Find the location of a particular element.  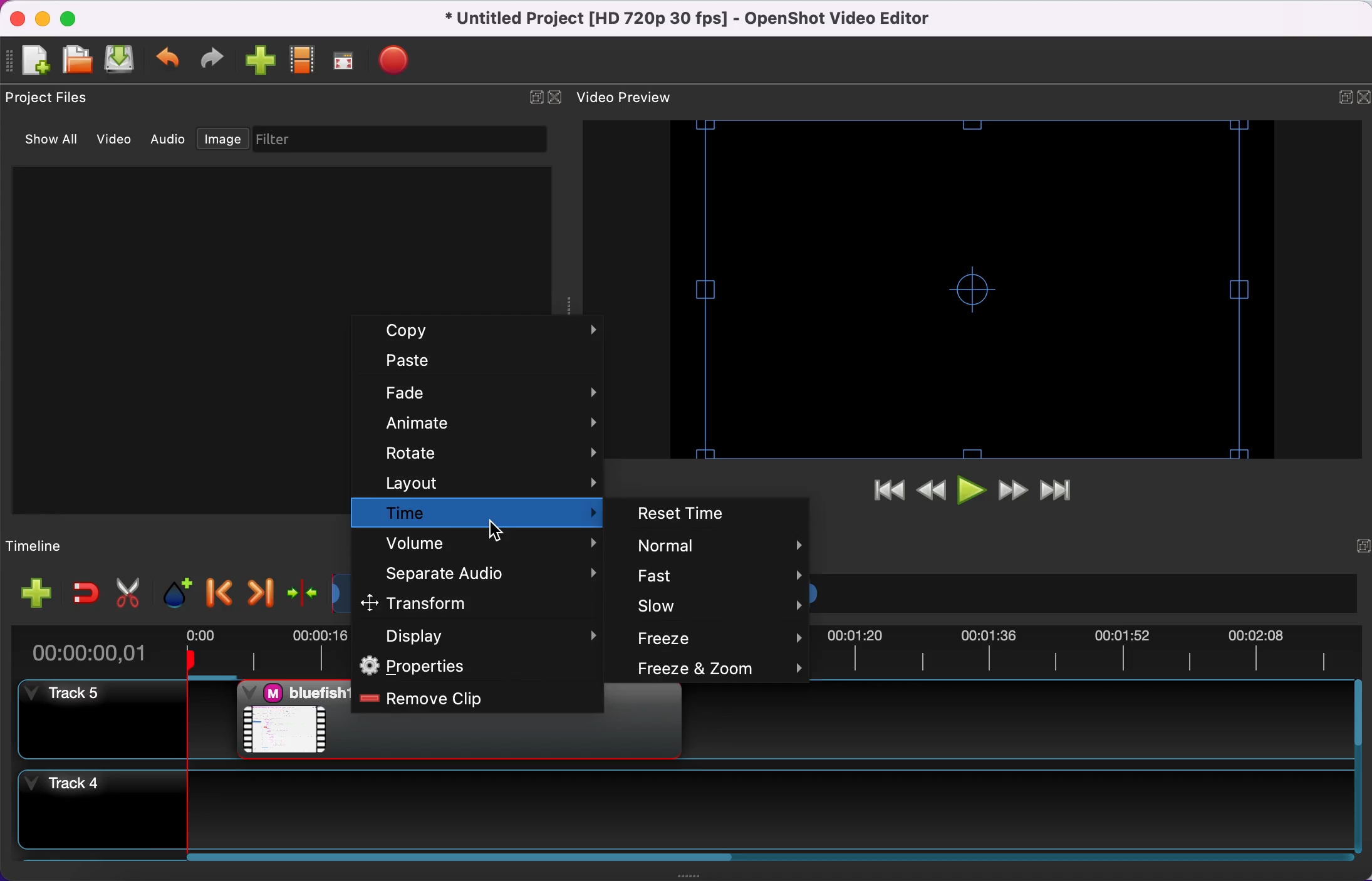

normal is located at coordinates (719, 546).